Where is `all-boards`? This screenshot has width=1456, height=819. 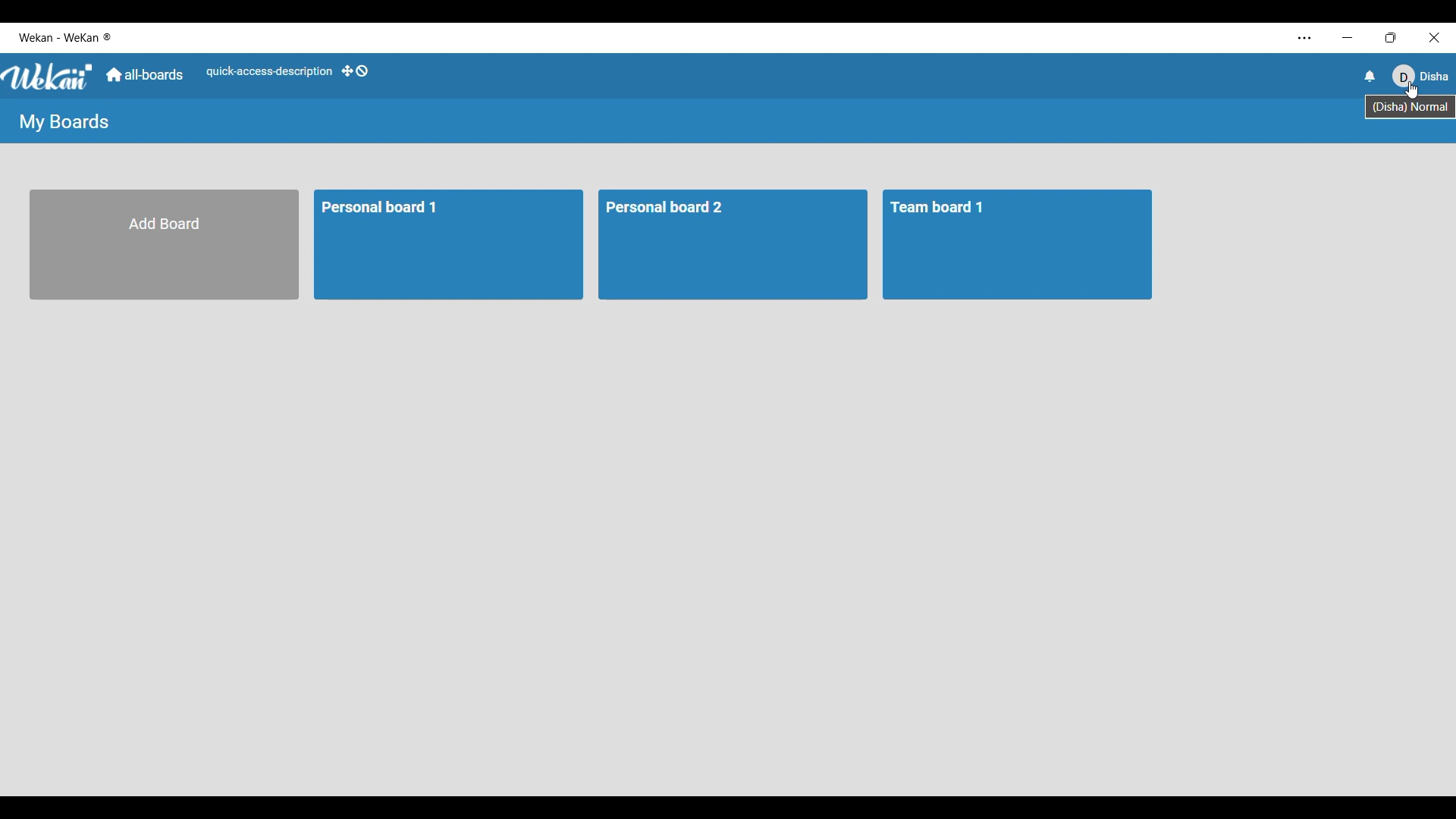 all-boards is located at coordinates (145, 75).